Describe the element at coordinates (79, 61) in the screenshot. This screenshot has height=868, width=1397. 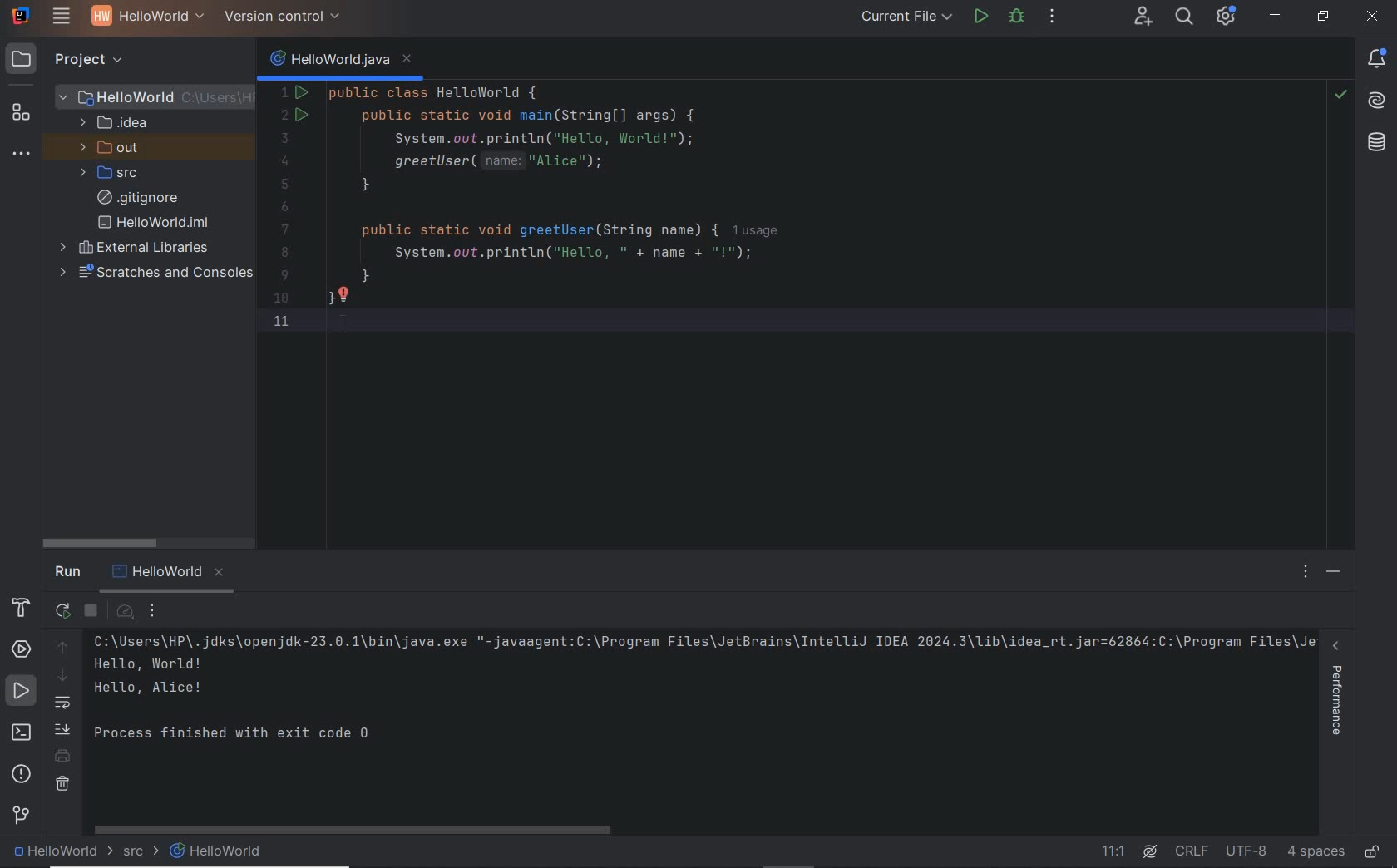
I see `project` at that location.